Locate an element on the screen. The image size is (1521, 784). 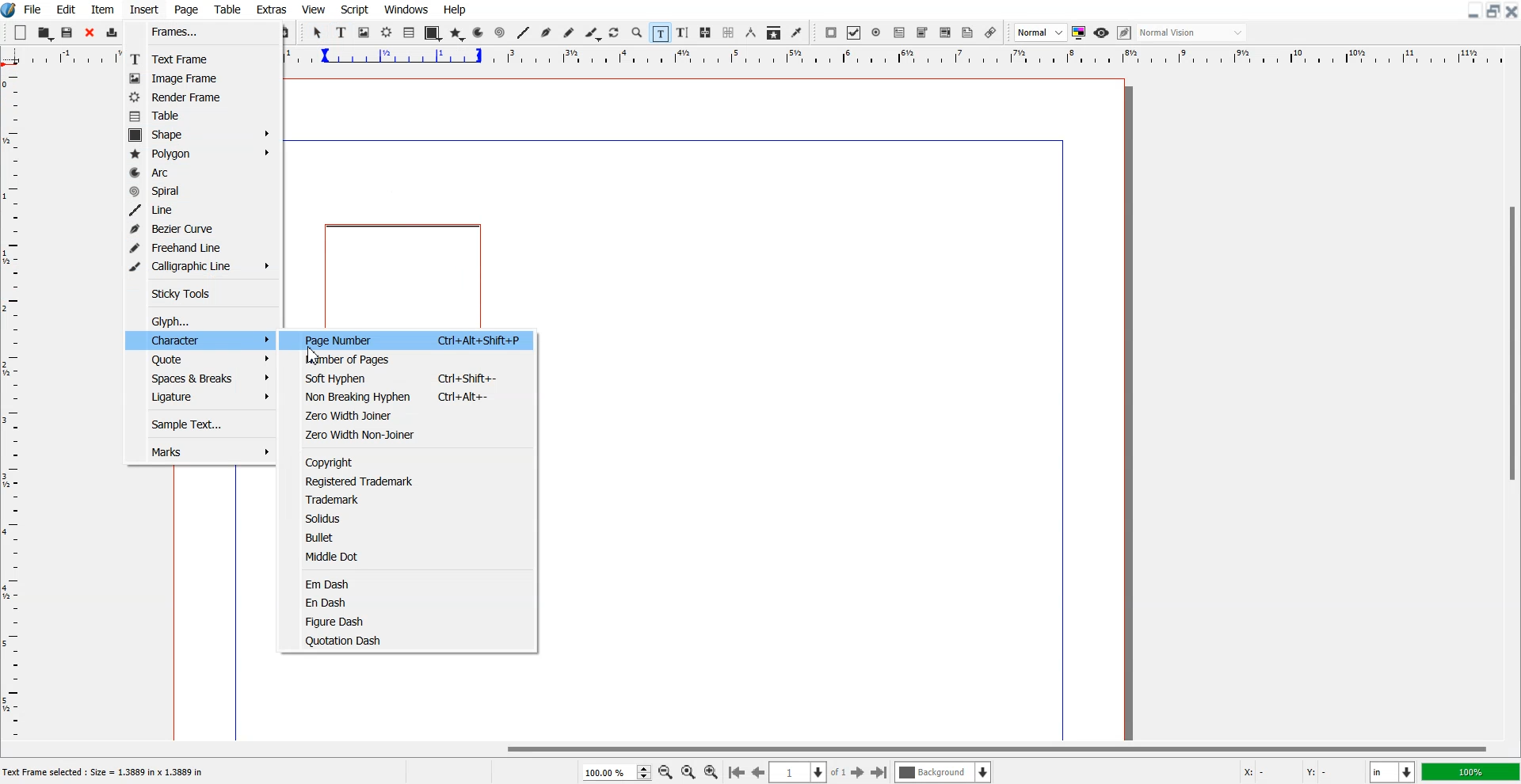
Calligraphic Line is located at coordinates (200, 265).